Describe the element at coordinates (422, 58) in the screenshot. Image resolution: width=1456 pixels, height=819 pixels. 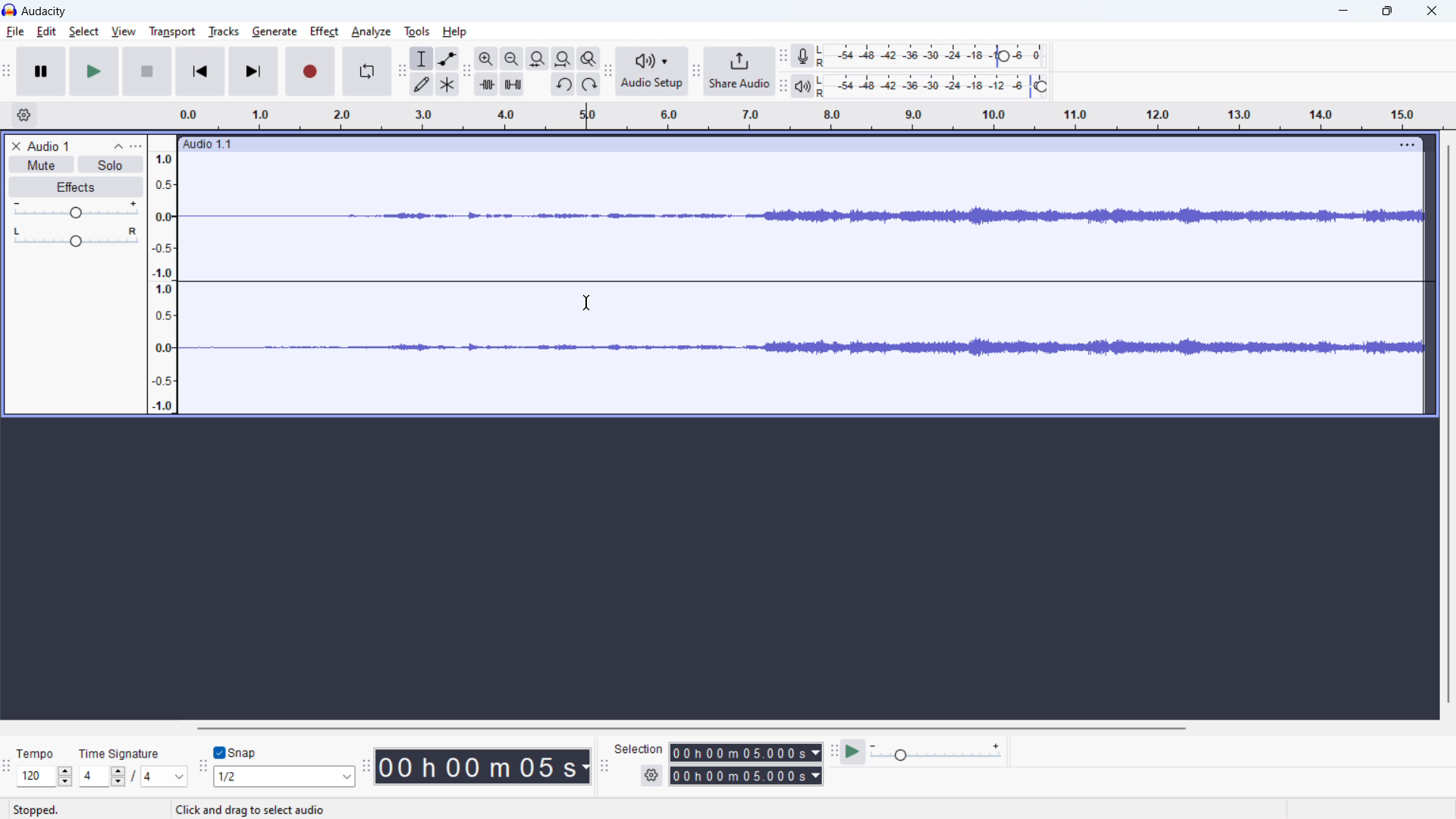
I see `selection tool` at that location.